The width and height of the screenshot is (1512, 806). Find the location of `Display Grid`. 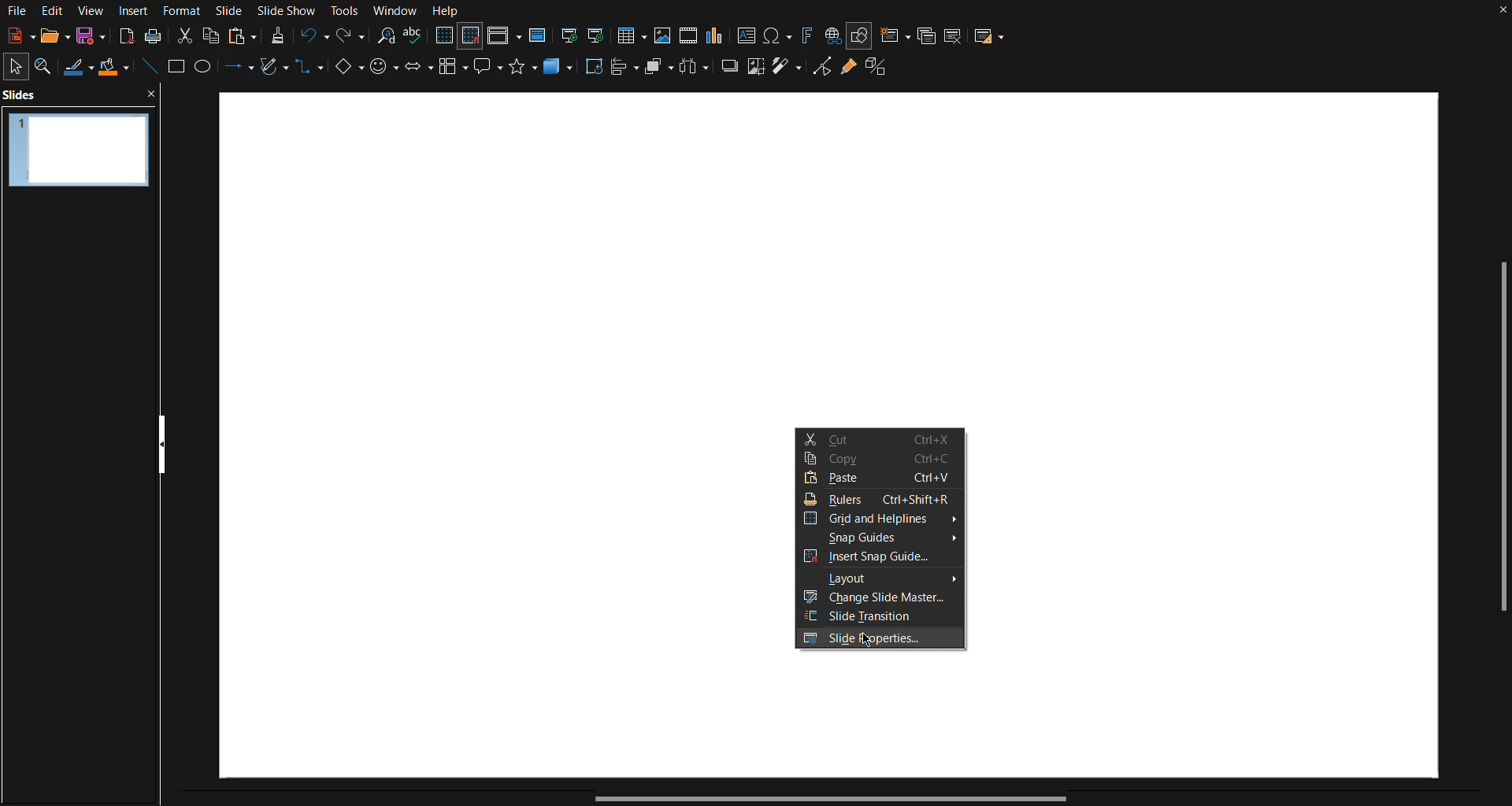

Display Grid is located at coordinates (443, 36).